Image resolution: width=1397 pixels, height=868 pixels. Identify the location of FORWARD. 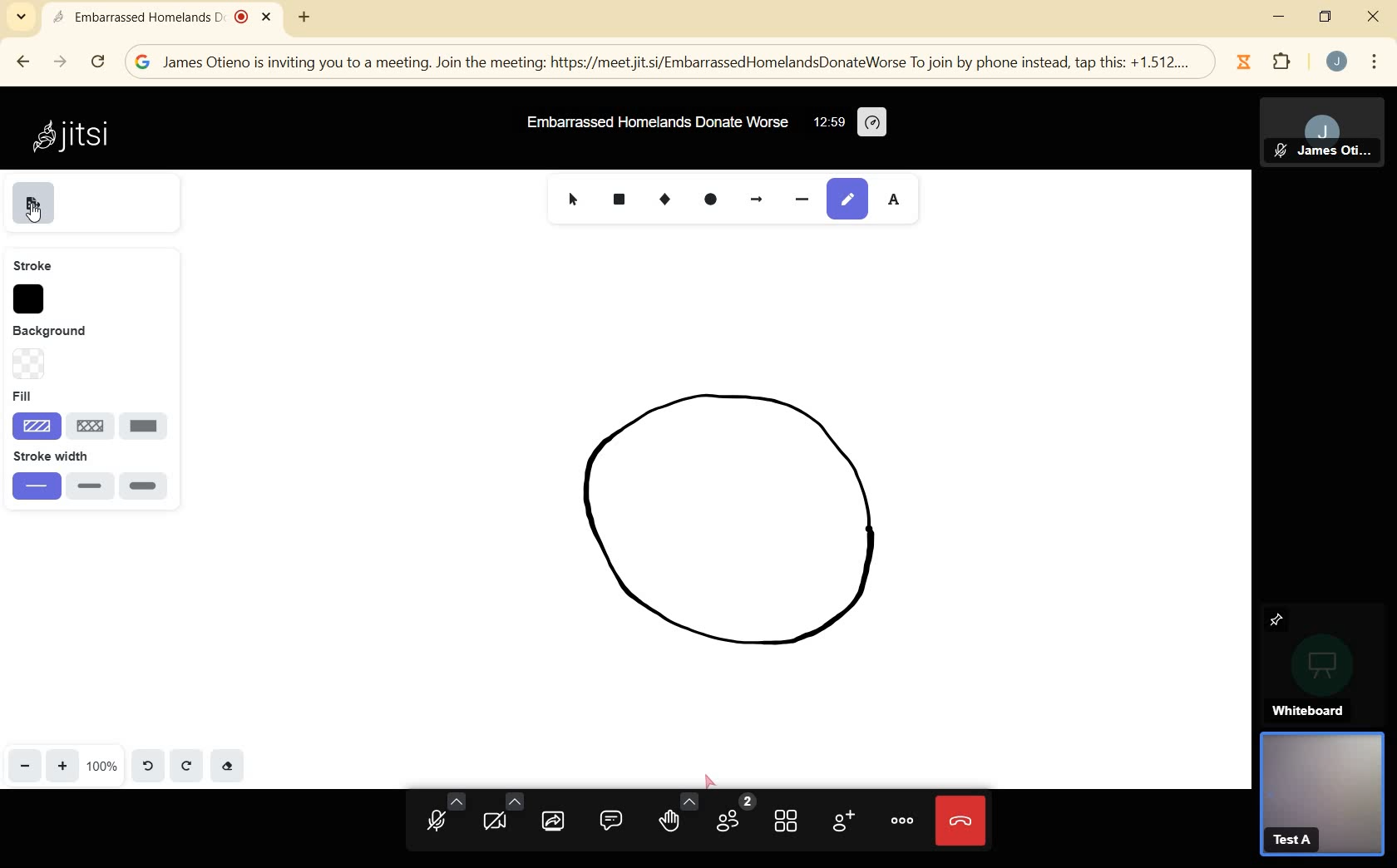
(61, 62).